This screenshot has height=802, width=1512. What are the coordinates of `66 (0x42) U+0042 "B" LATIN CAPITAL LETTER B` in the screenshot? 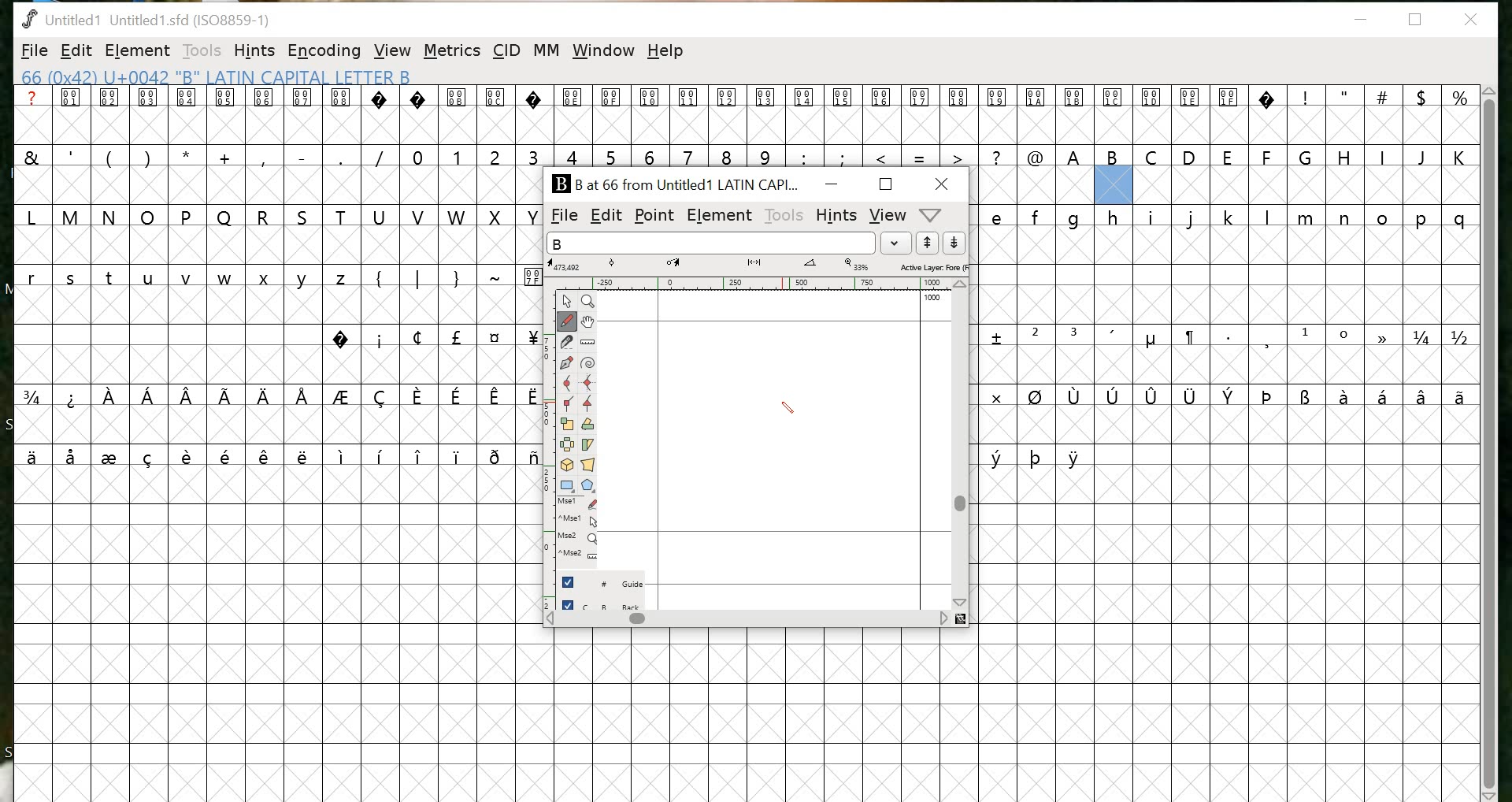 It's located at (220, 76).